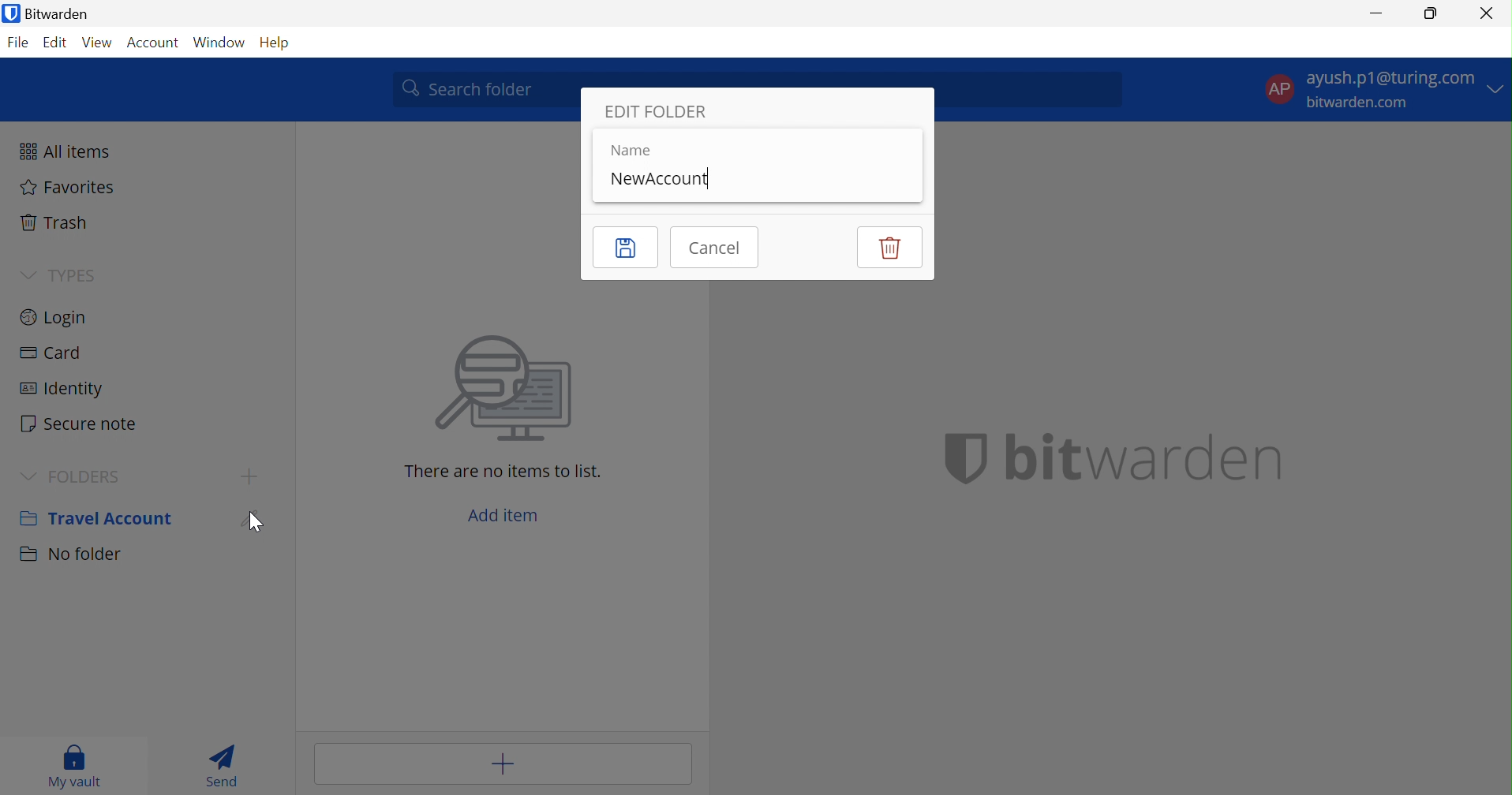 The image size is (1512, 795). What do you see at coordinates (271, 43) in the screenshot?
I see `Help` at bounding box center [271, 43].